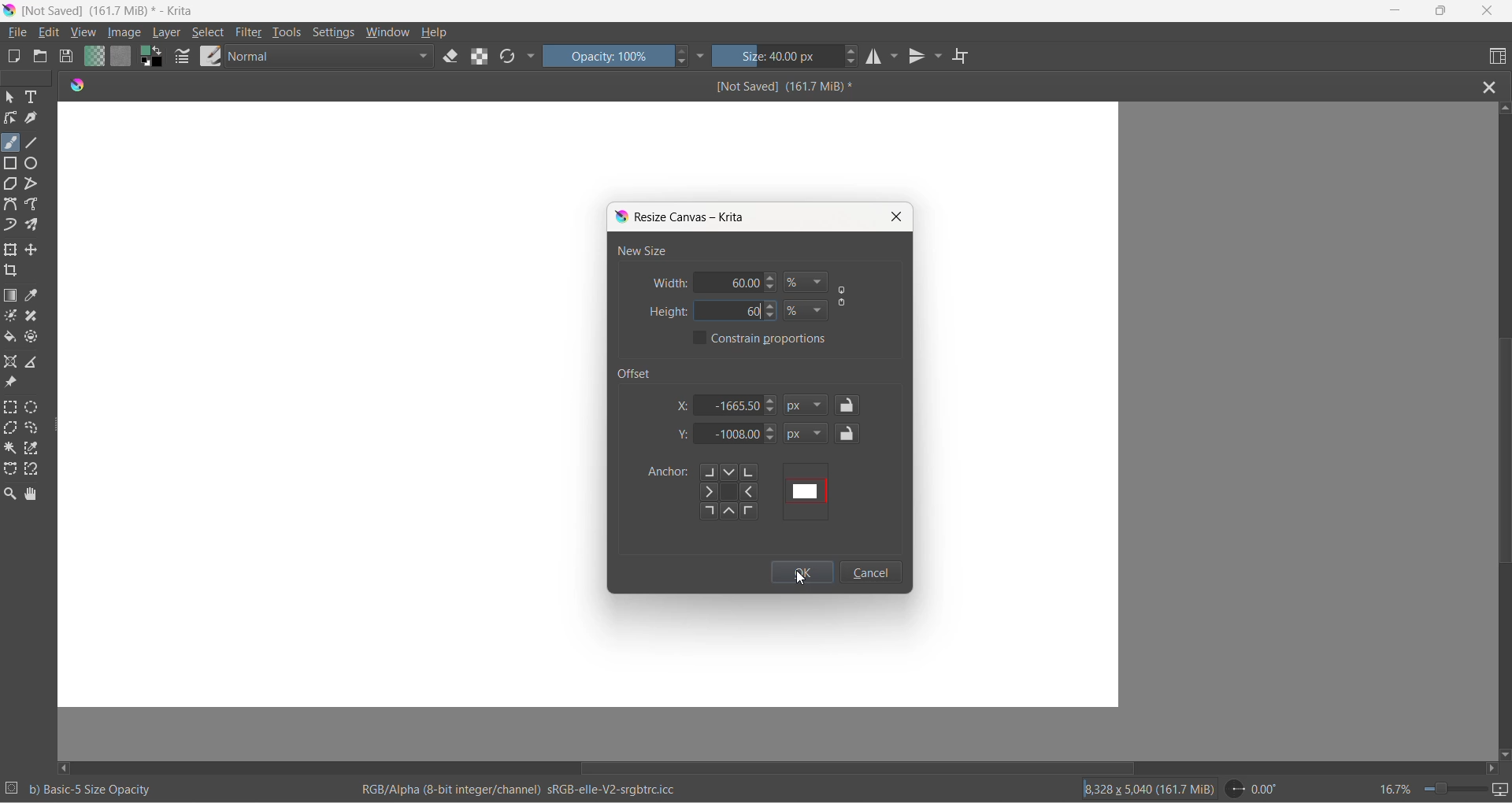 The image size is (1512, 803). I want to click on number of selections, so click(12, 790).